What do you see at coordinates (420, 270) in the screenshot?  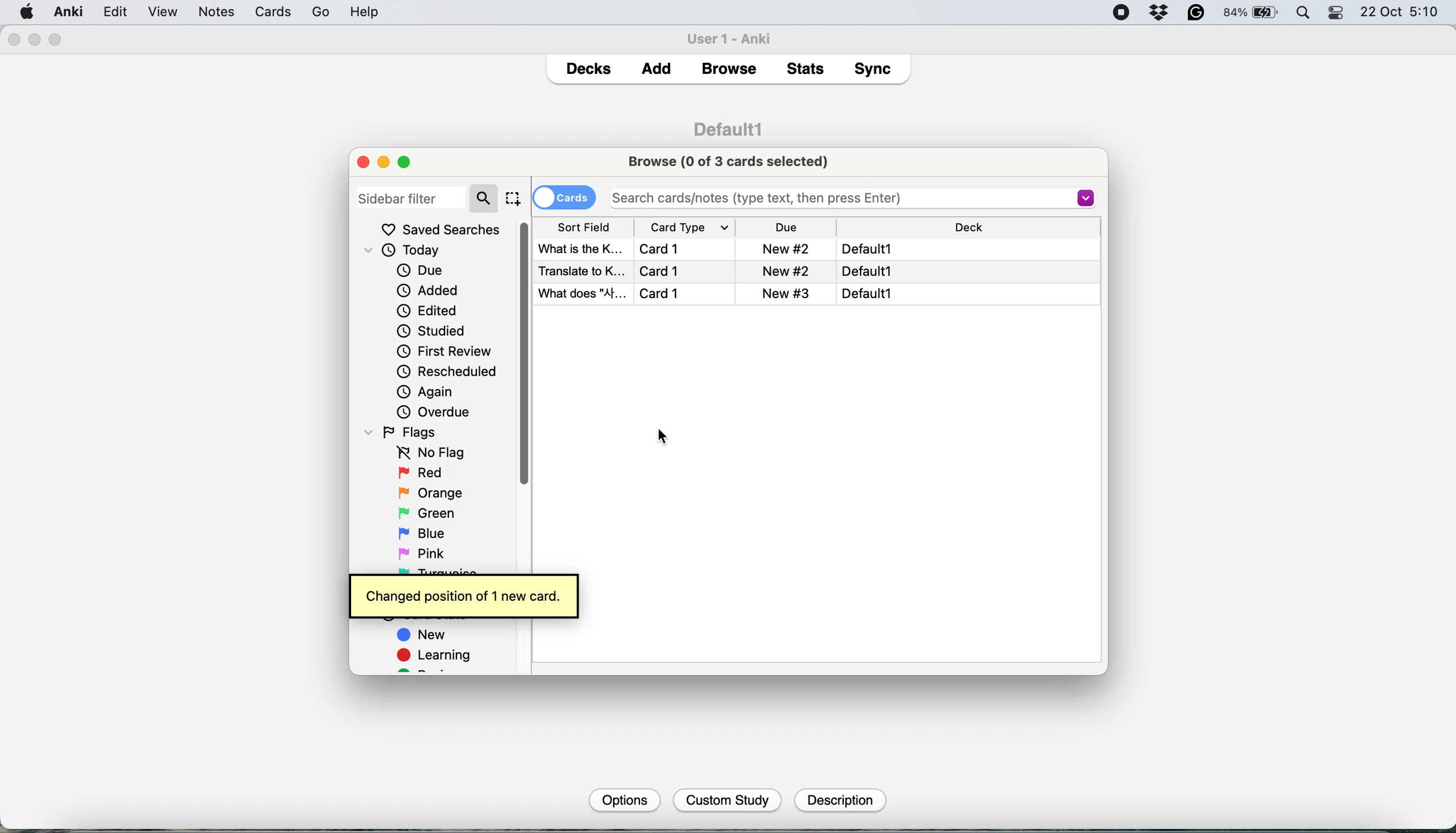 I see `due` at bounding box center [420, 270].